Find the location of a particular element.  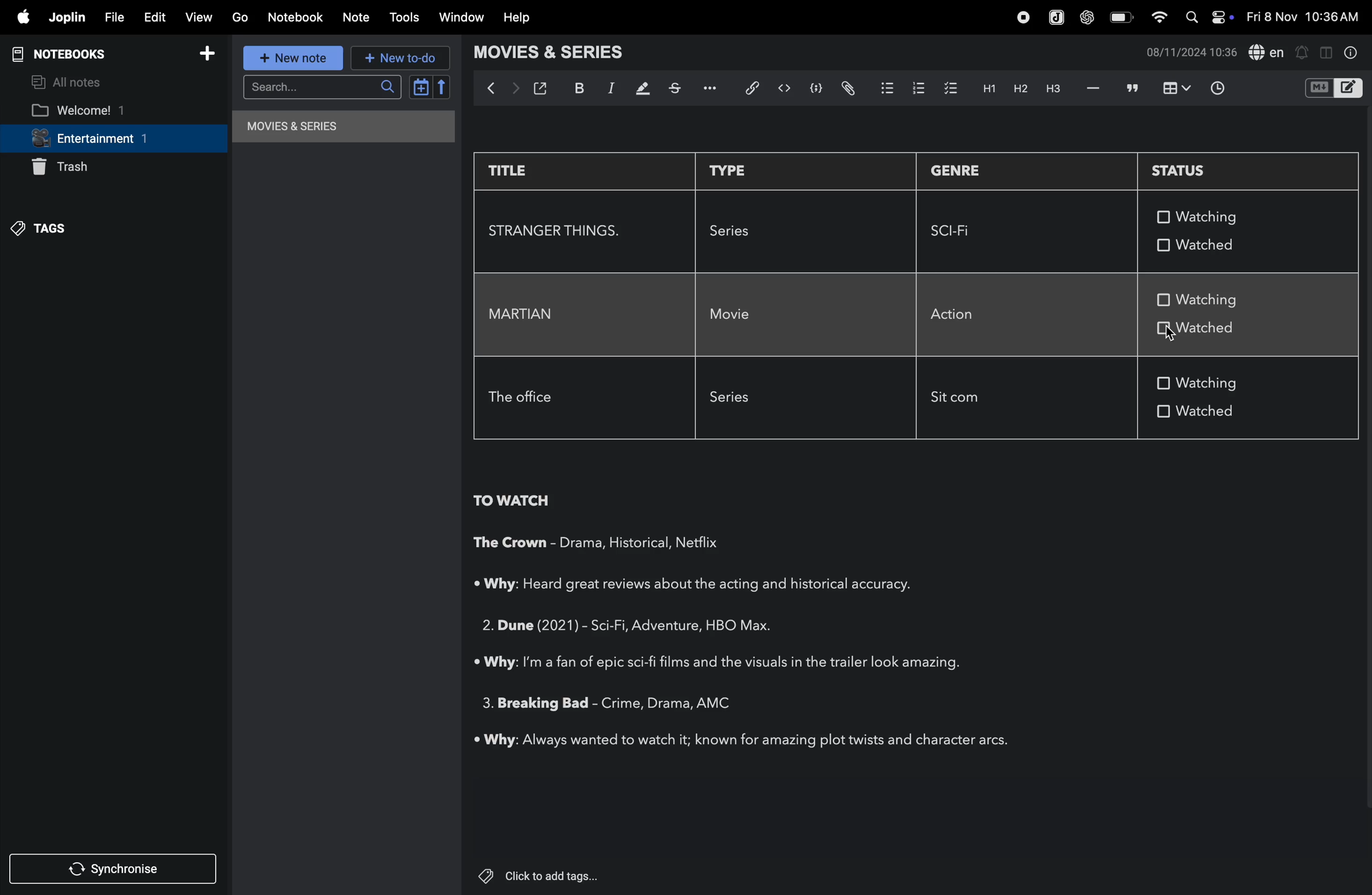

title crown is located at coordinates (511, 545).